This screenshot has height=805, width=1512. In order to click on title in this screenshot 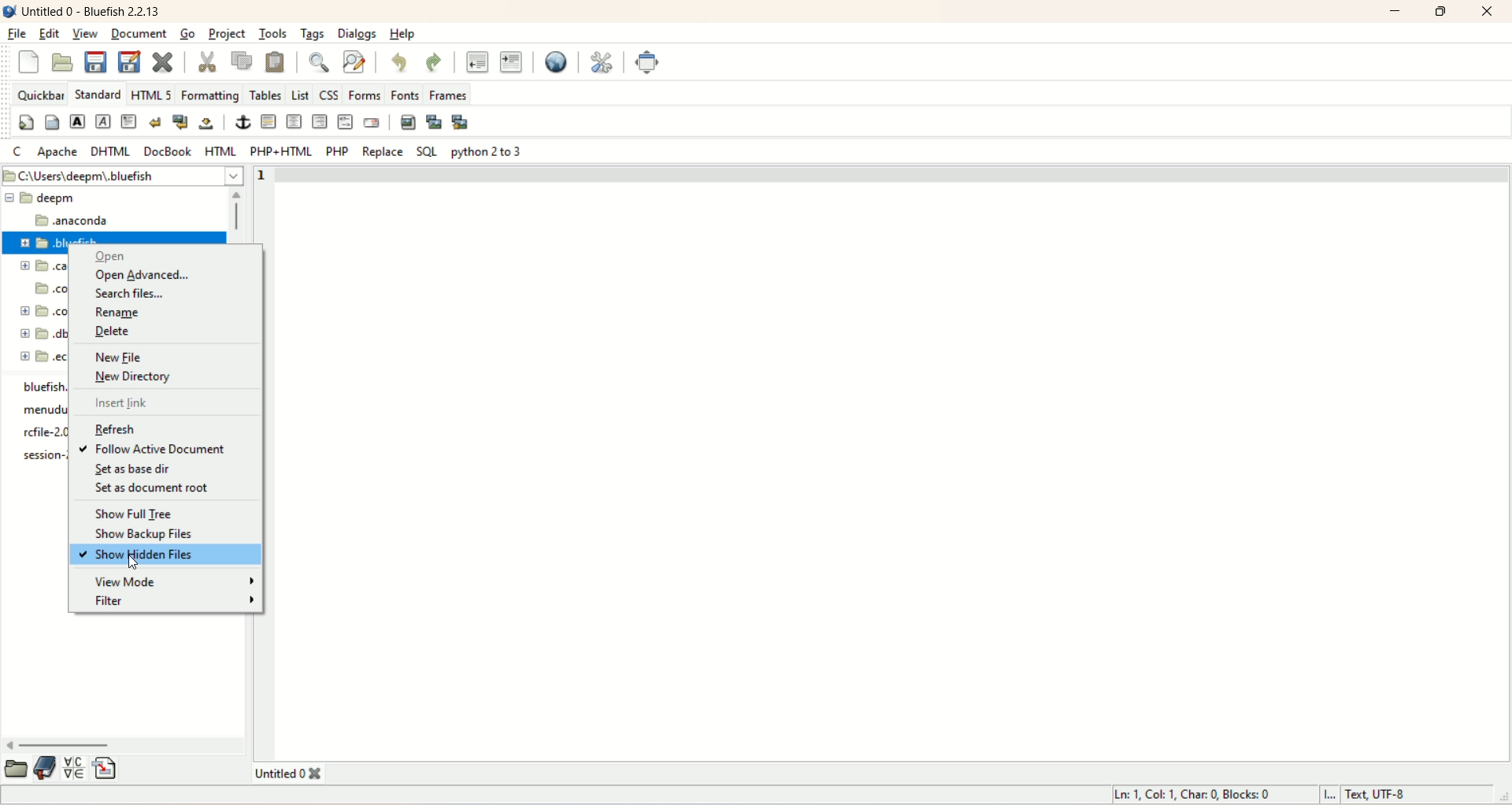, I will do `click(93, 11)`.